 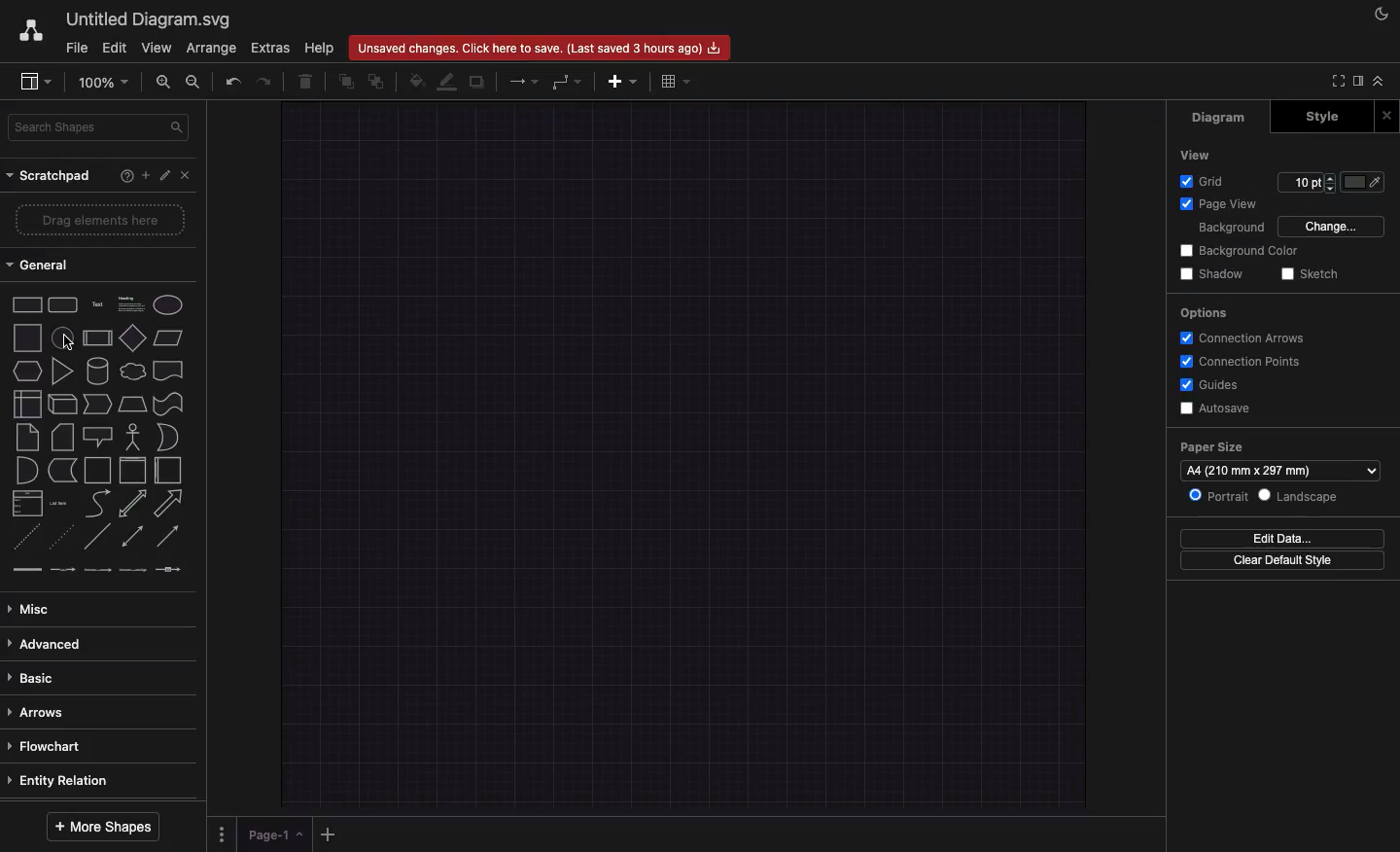 I want to click on Background color, so click(x=1238, y=250).